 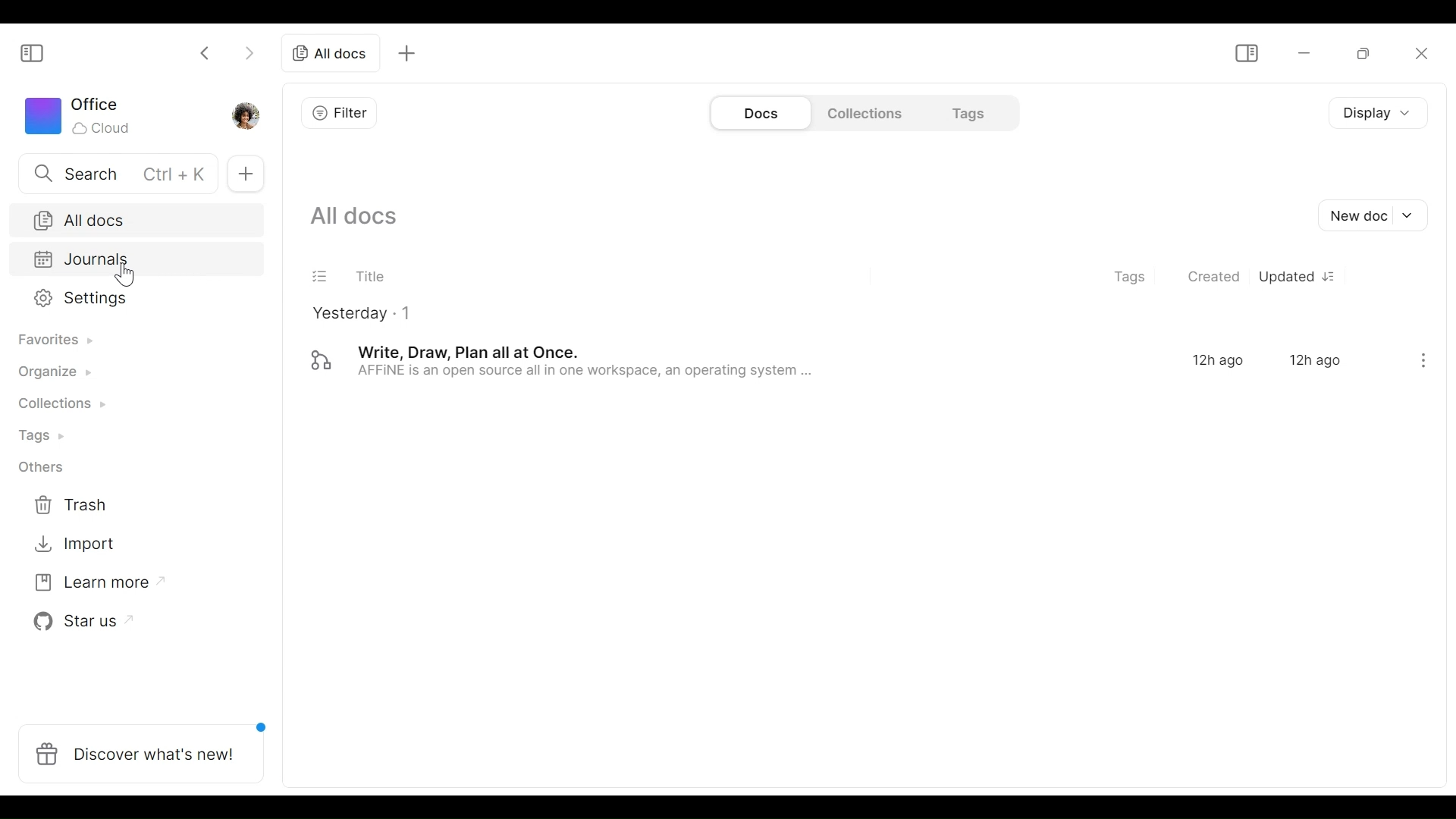 What do you see at coordinates (147, 745) in the screenshot?
I see `Discover what's new` at bounding box center [147, 745].